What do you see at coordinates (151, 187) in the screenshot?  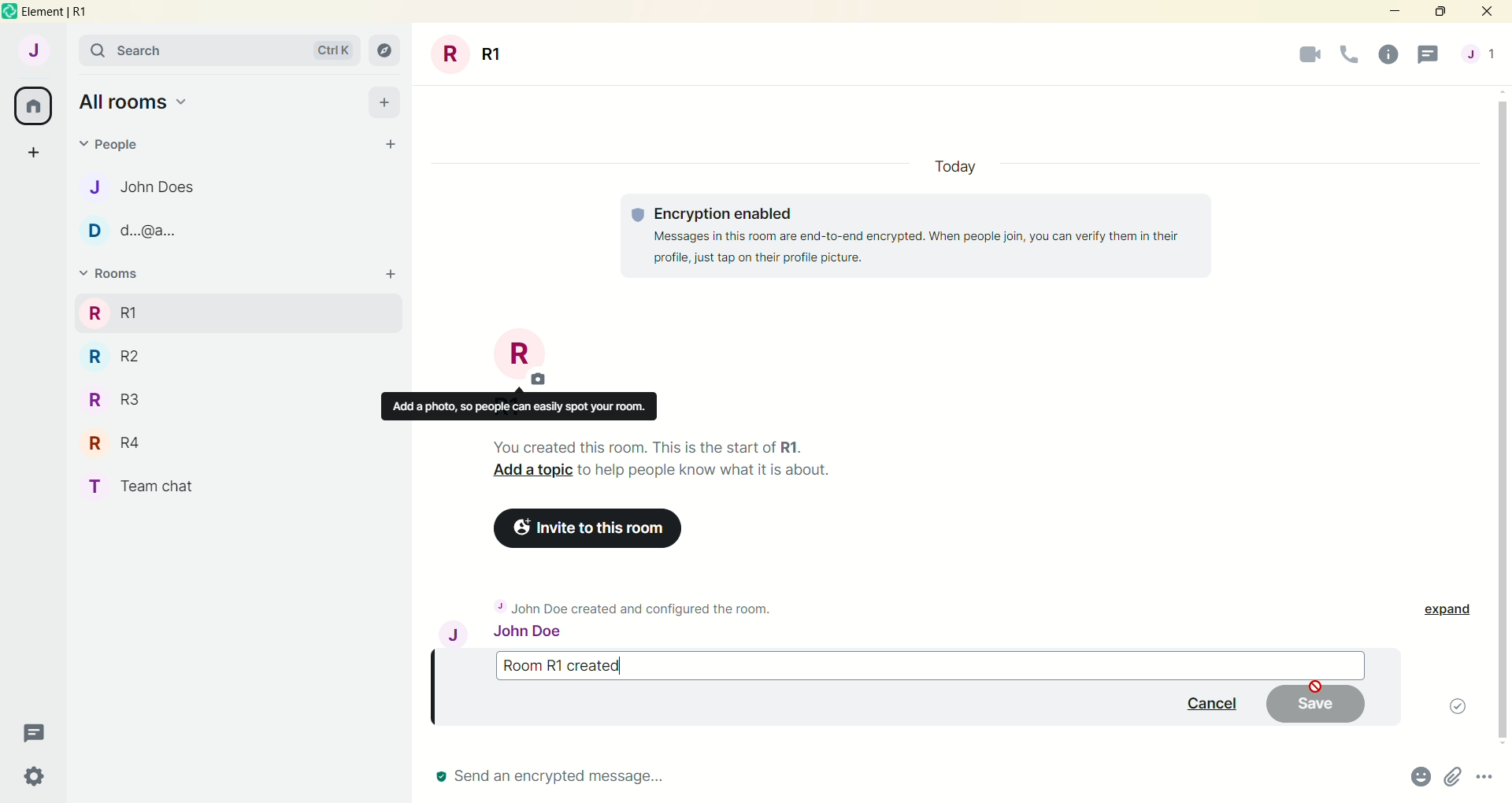 I see `J John Does` at bounding box center [151, 187].